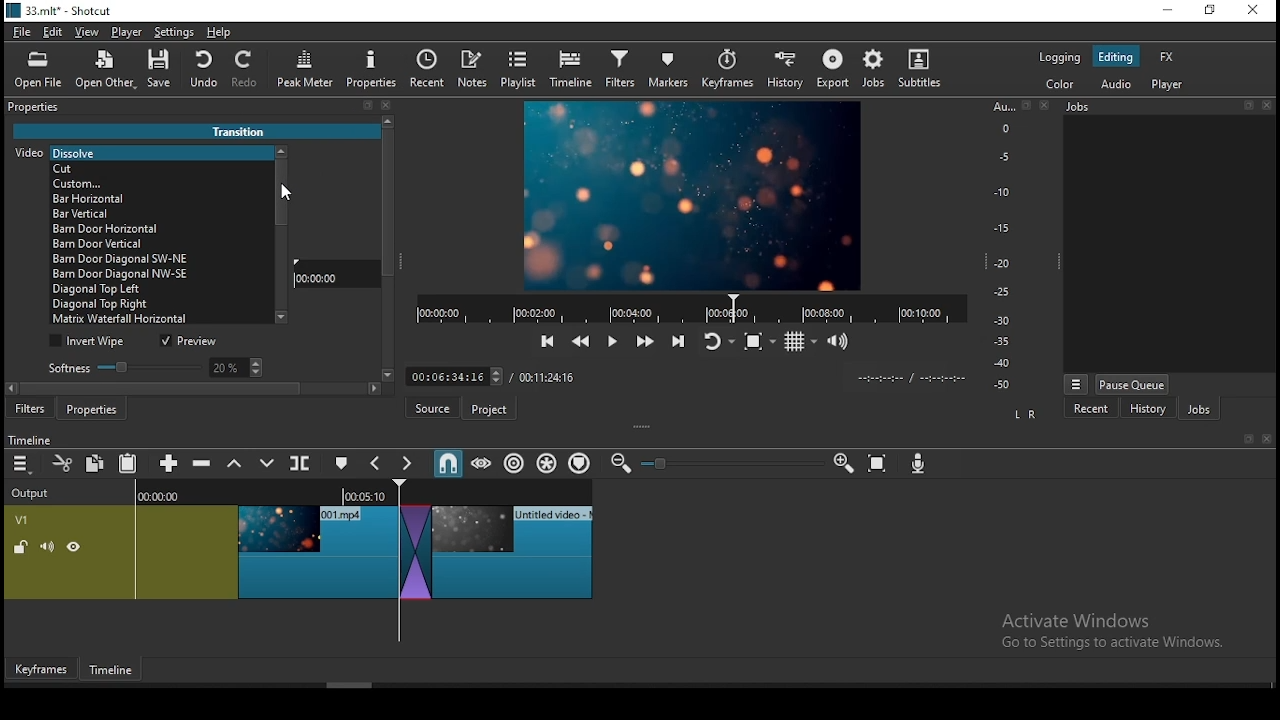  What do you see at coordinates (917, 68) in the screenshot?
I see `subtitle` at bounding box center [917, 68].